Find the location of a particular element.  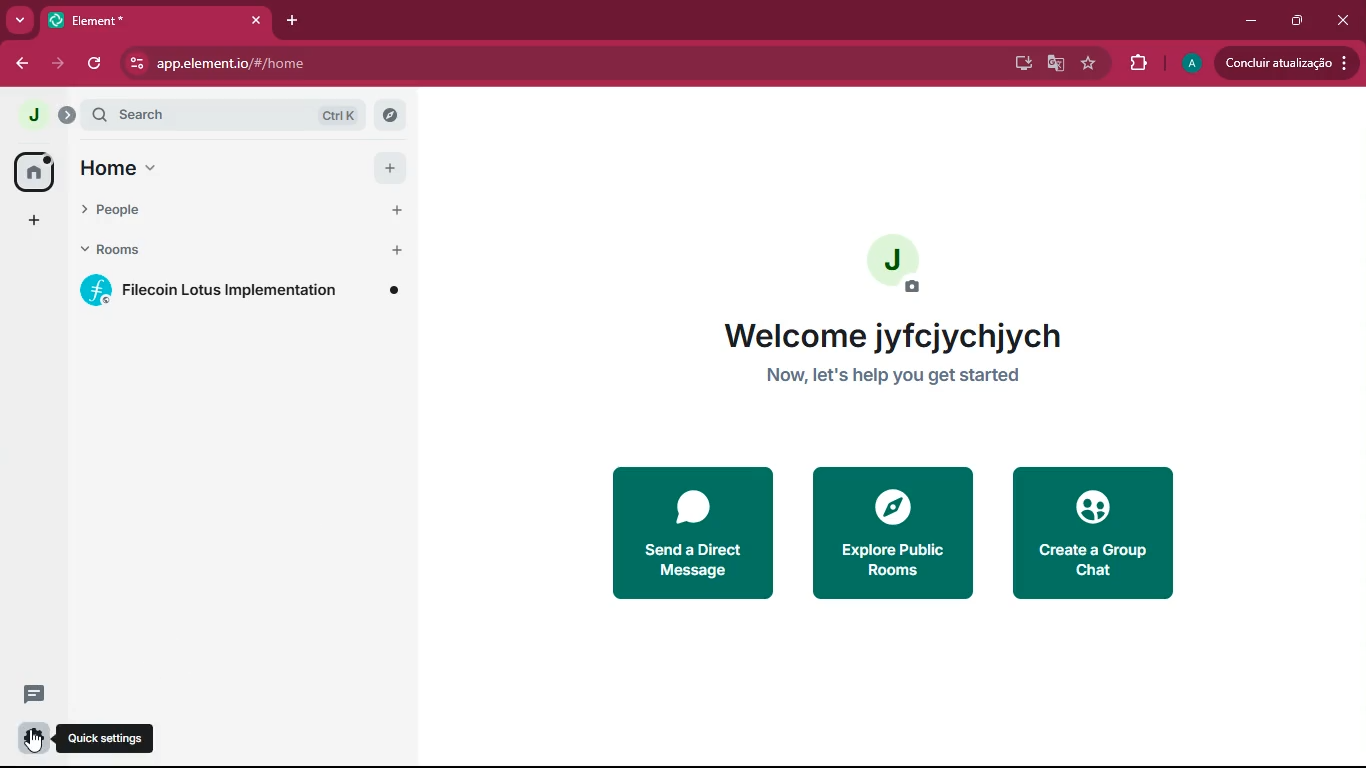

conversation is located at coordinates (32, 694).